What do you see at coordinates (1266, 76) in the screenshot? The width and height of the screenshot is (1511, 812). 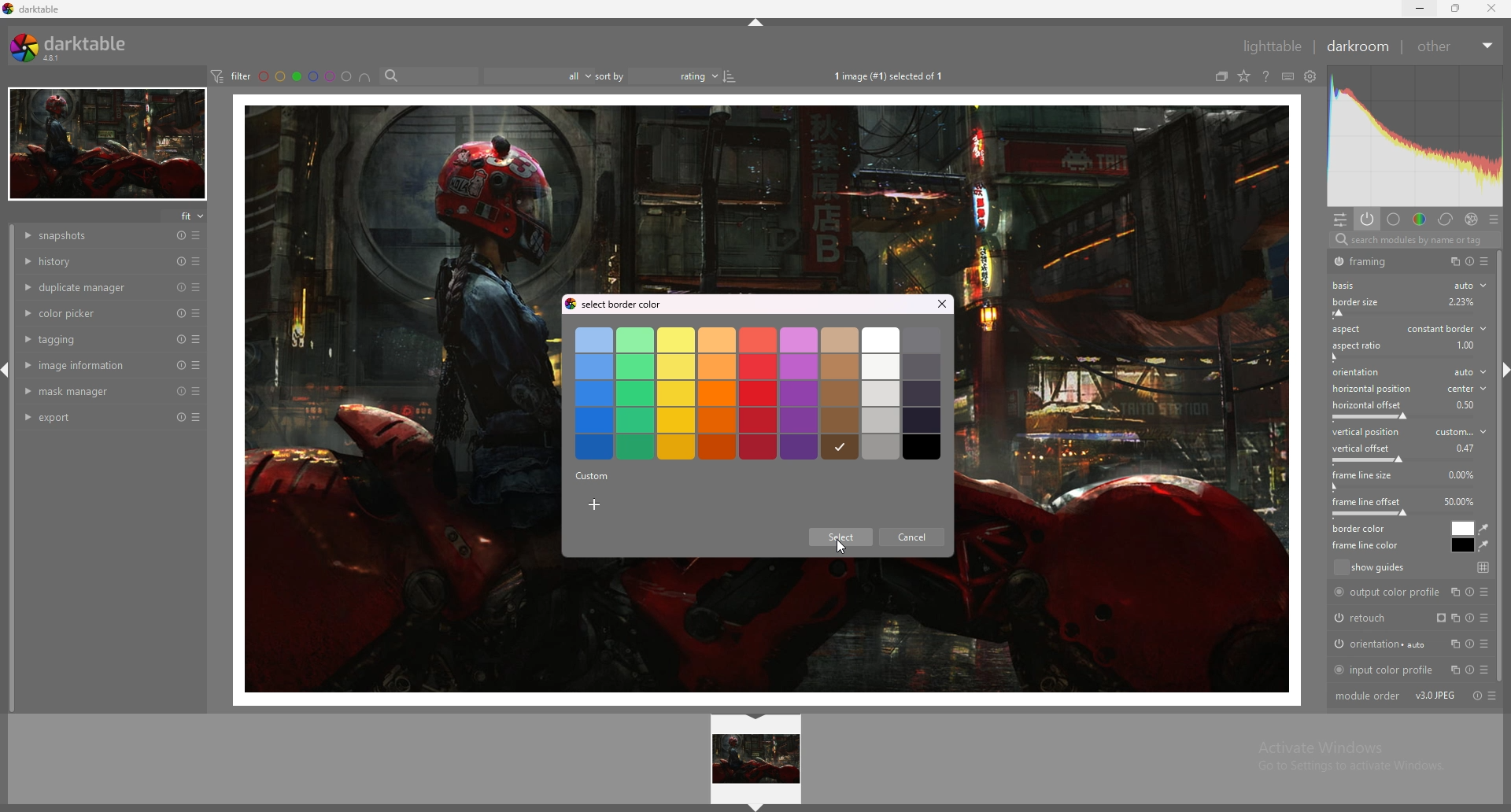 I see `see online help` at bounding box center [1266, 76].